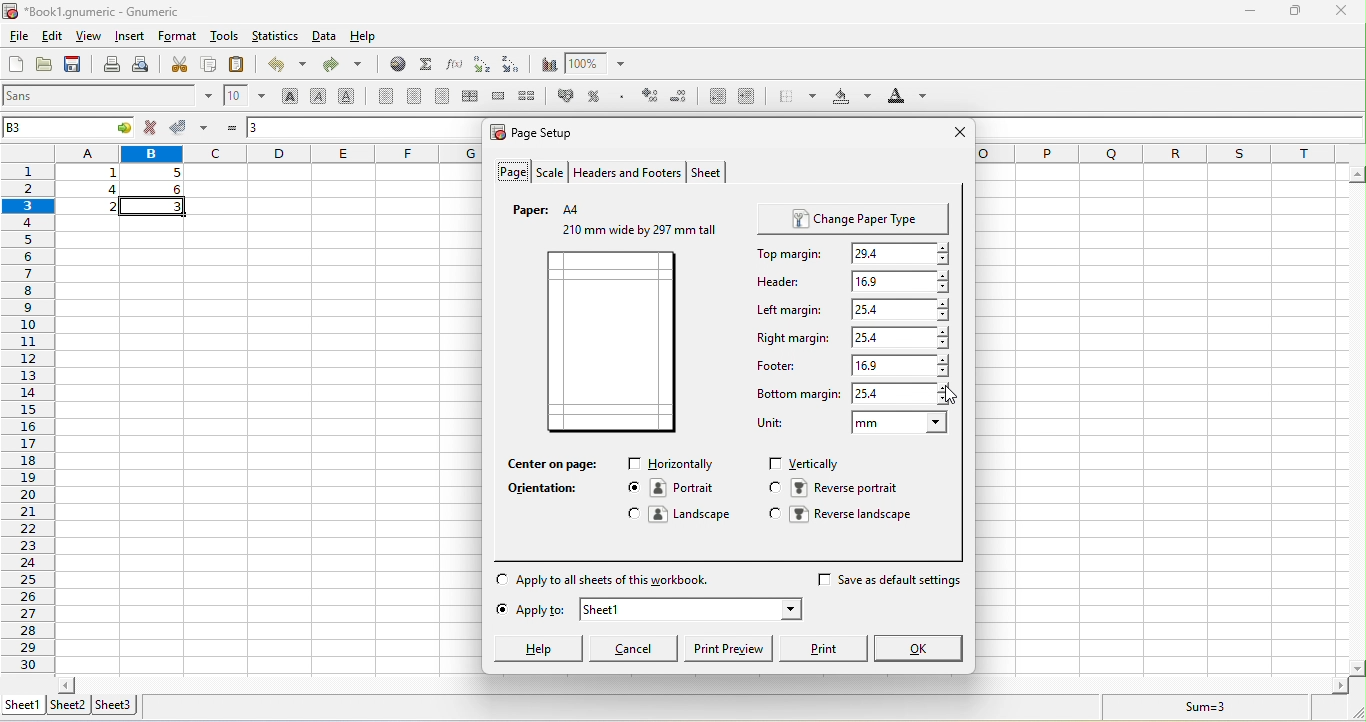 The height and width of the screenshot is (722, 1366). I want to click on b3, so click(68, 127).